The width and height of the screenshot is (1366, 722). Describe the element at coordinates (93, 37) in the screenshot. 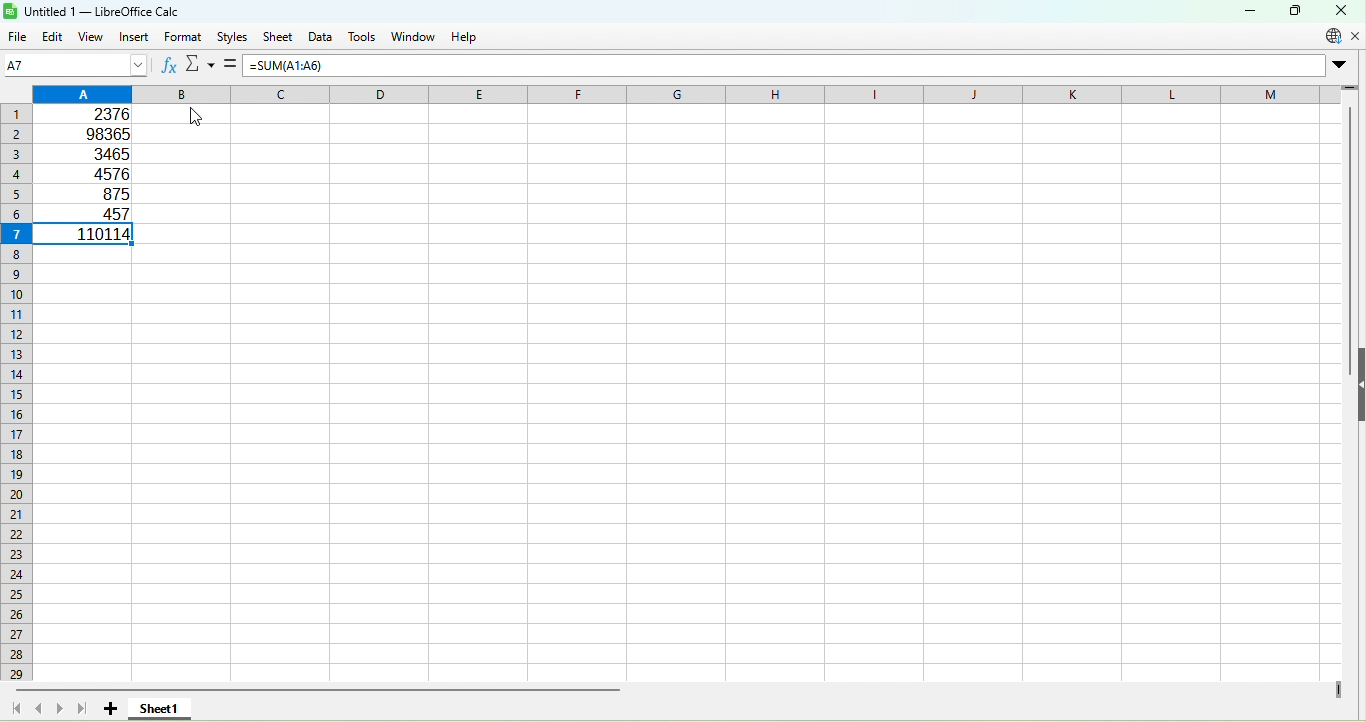

I see `View` at that location.